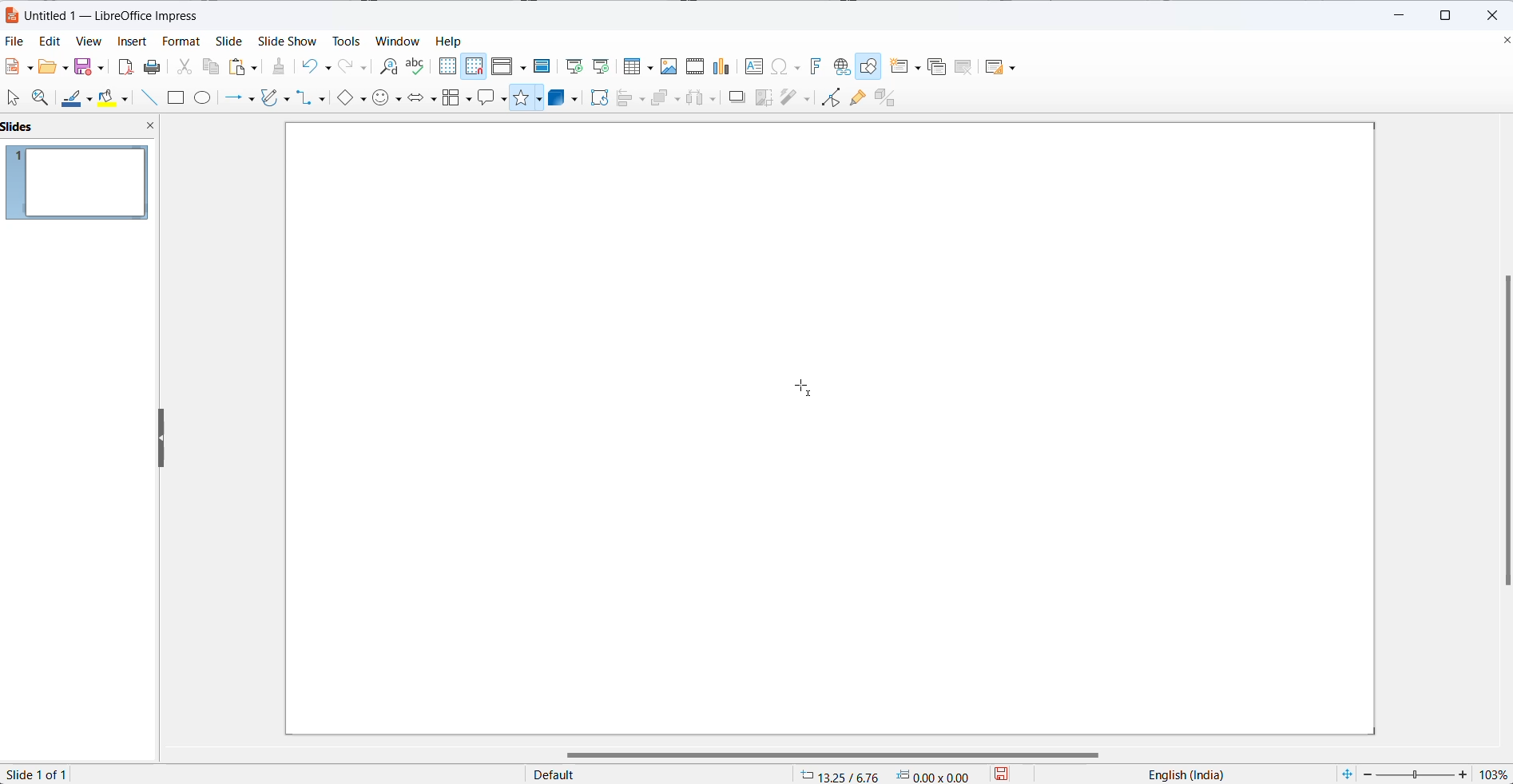 This screenshot has height=784, width=1513. I want to click on slide, so click(234, 40).